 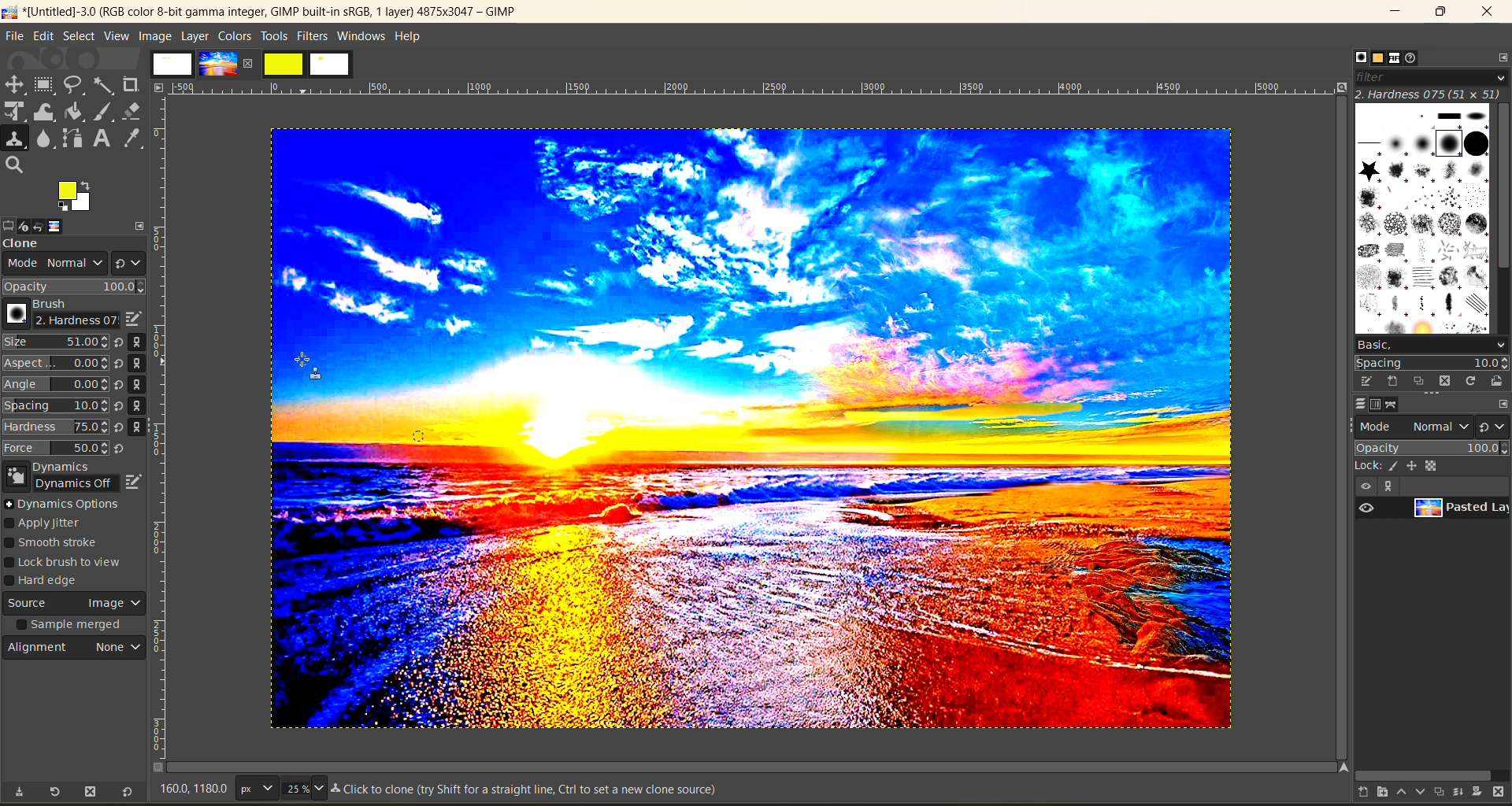 I want to click on size, so click(x=303, y=788).